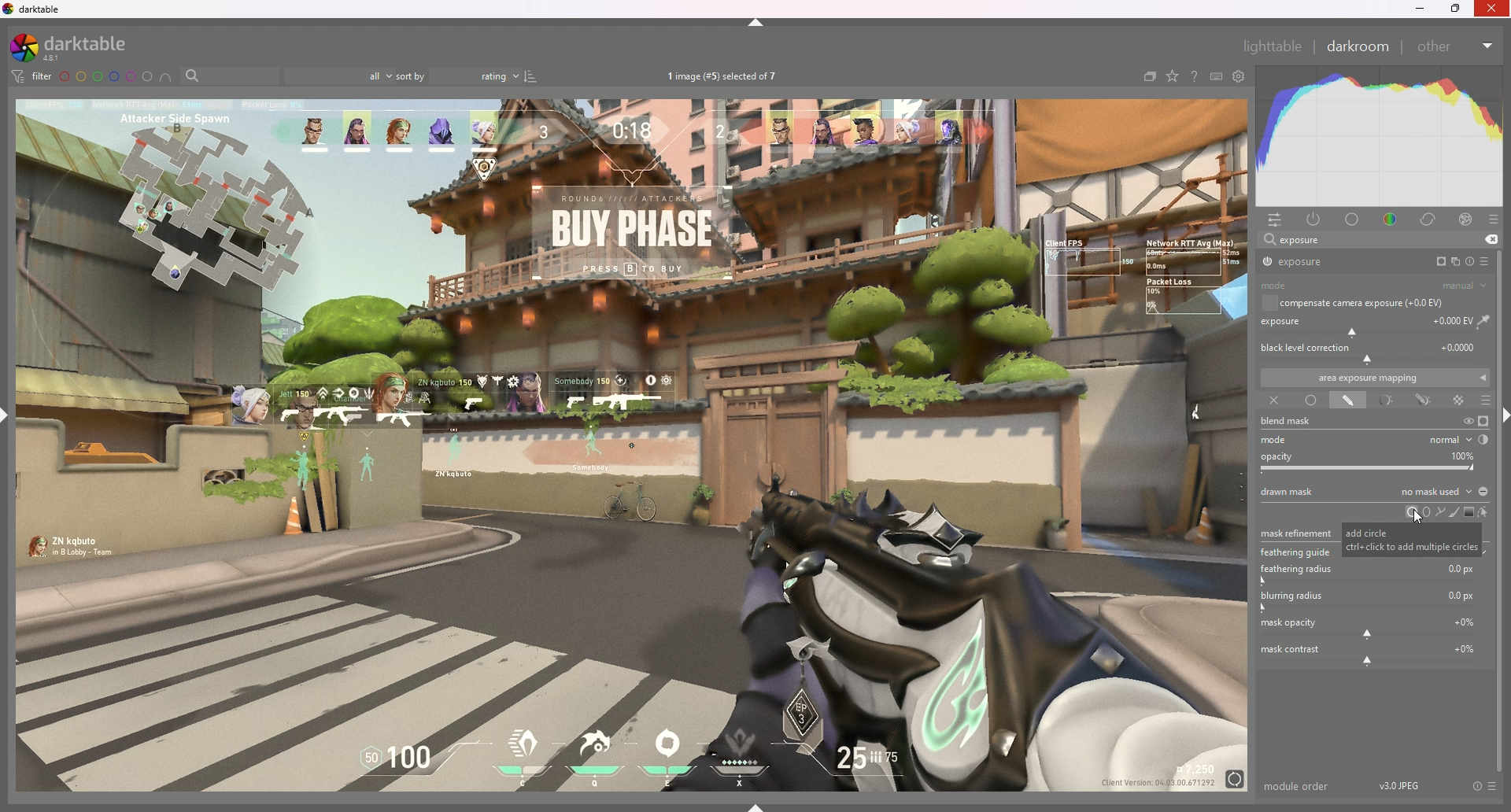  Describe the element at coordinates (1361, 303) in the screenshot. I see `compensate camera exposure` at that location.